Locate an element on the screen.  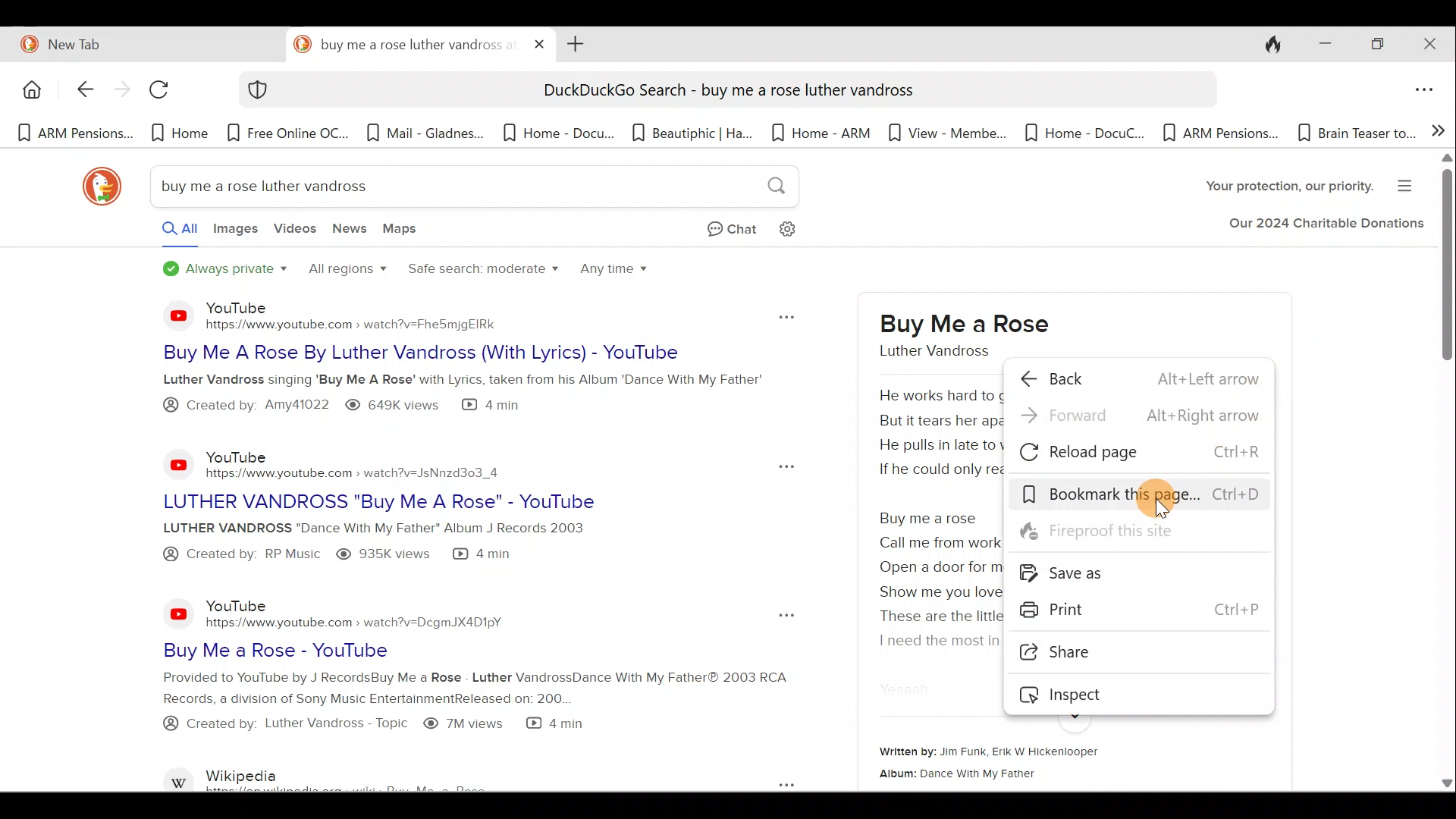
Add new tab is located at coordinates (573, 42).